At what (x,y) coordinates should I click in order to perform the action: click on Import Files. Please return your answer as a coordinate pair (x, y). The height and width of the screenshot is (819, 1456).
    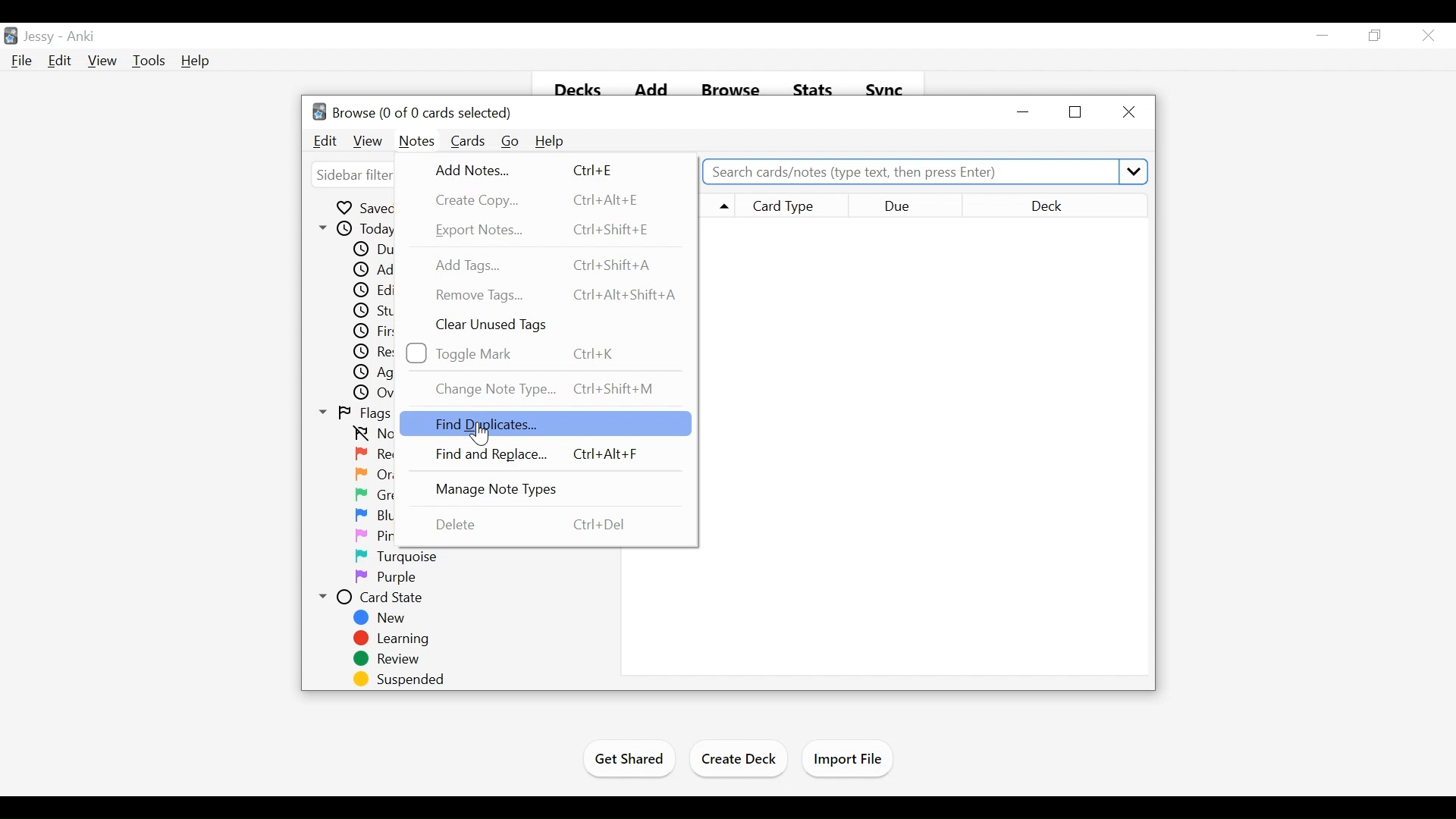
    Looking at the image, I should click on (847, 759).